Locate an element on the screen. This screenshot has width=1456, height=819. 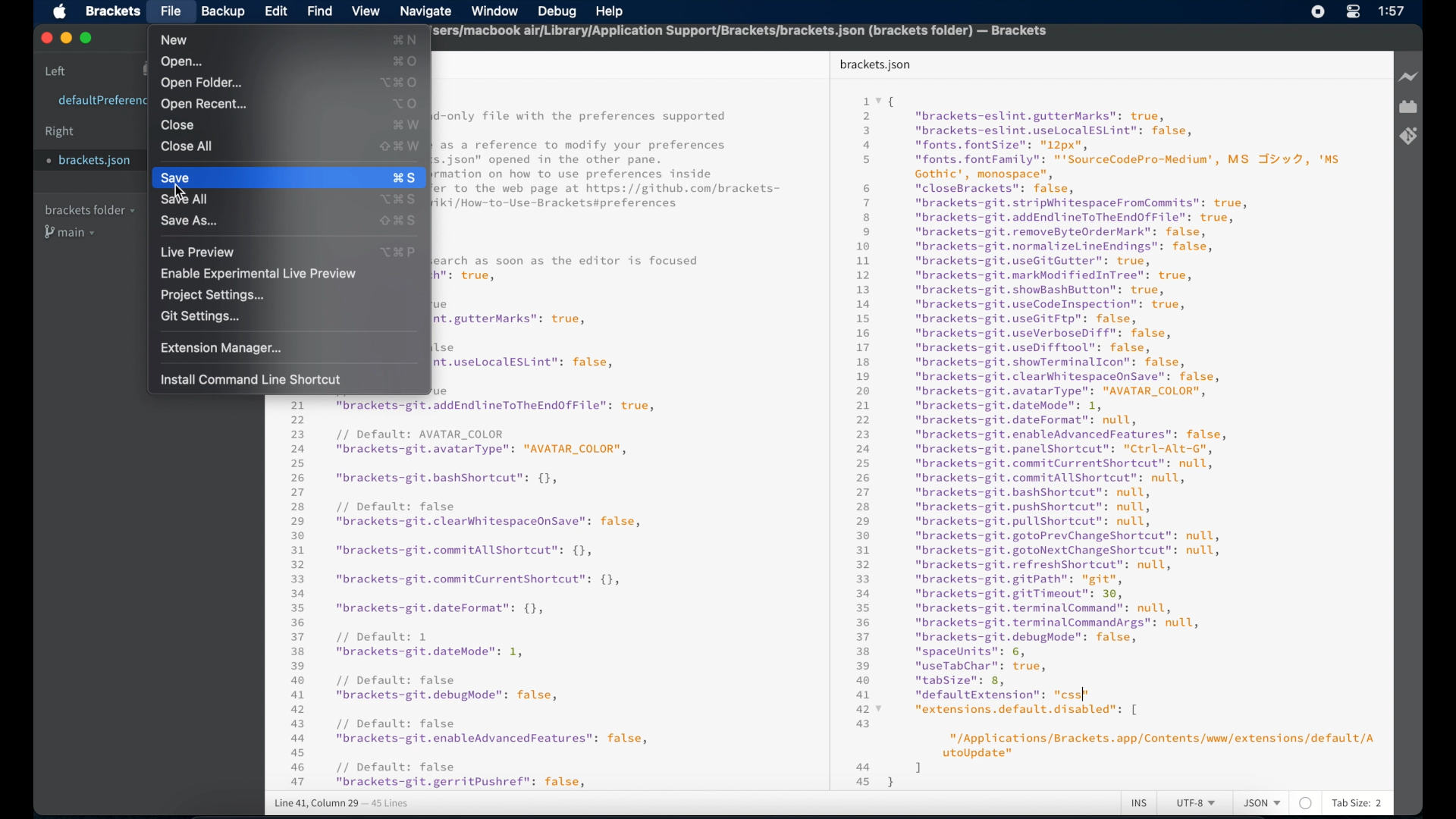
close shortcut is located at coordinates (401, 125).